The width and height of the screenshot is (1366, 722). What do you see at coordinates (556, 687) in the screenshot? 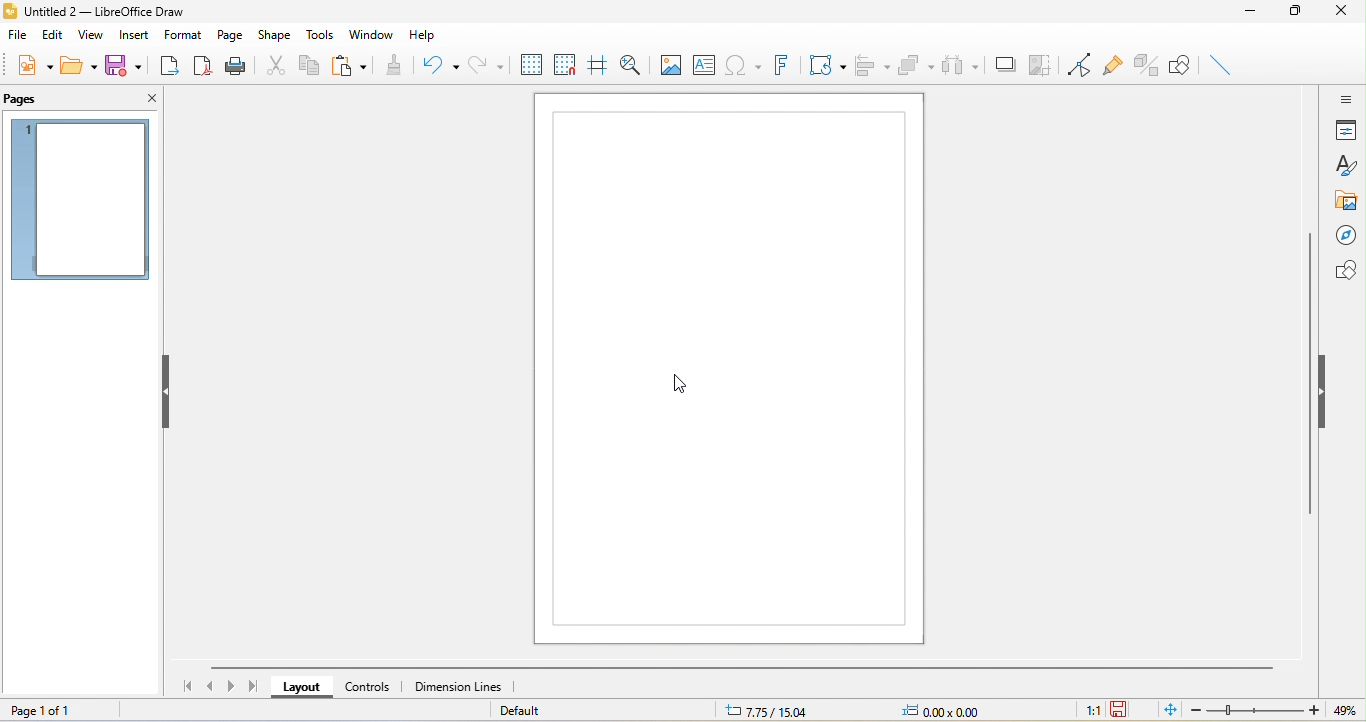
I see `layer` at bounding box center [556, 687].